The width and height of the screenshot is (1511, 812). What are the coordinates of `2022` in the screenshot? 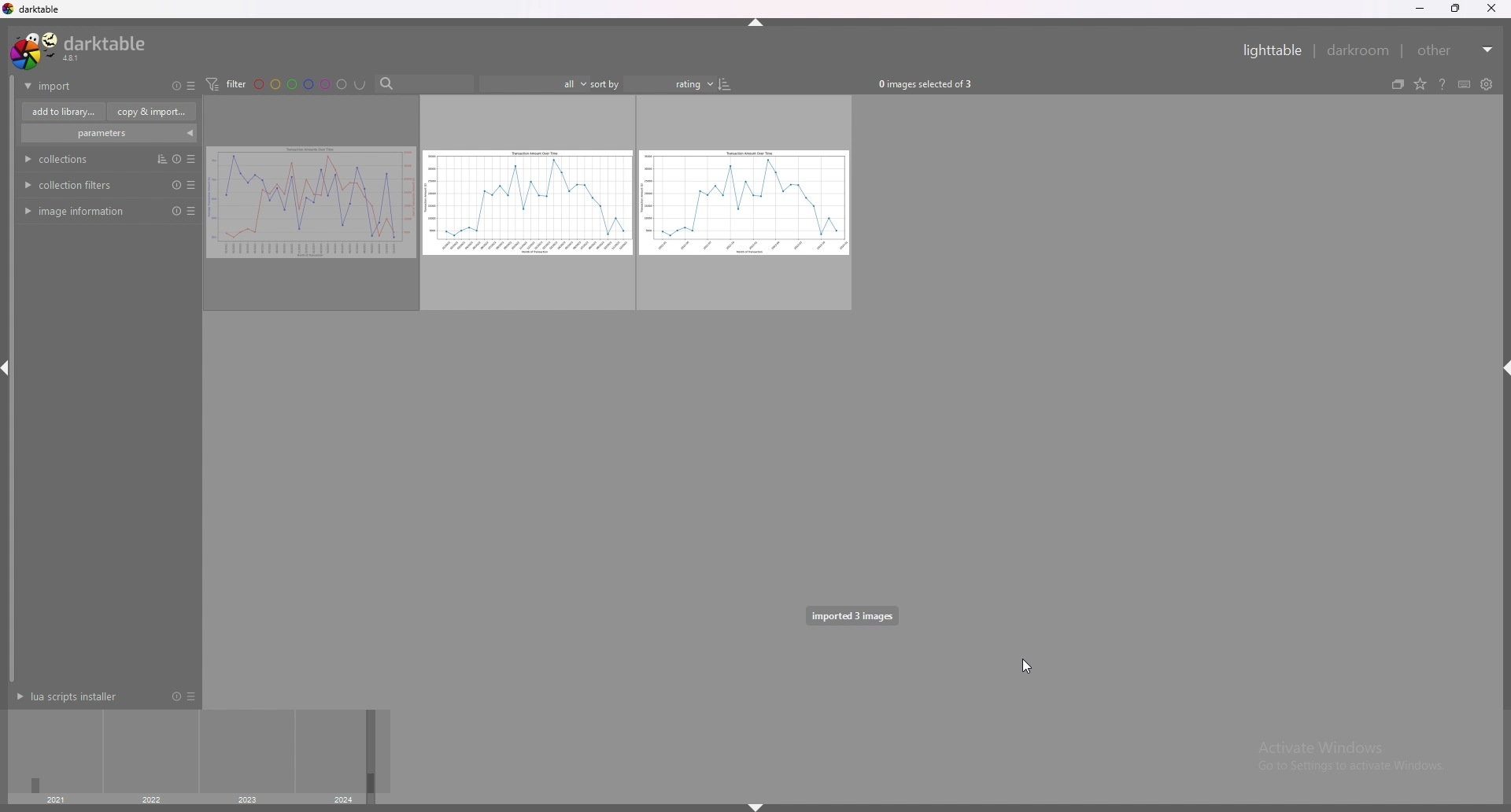 It's located at (150, 800).